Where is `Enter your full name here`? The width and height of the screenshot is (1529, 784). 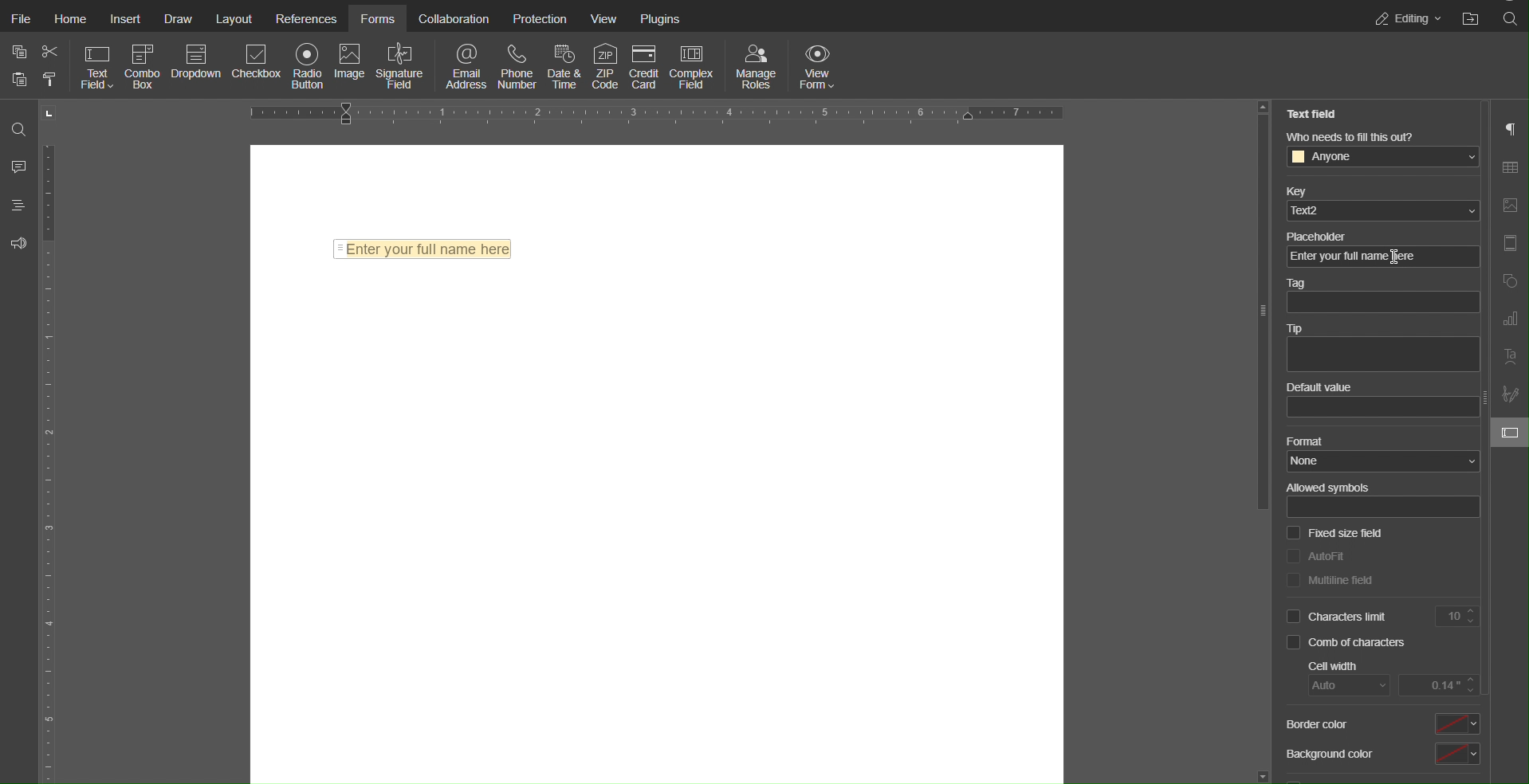
Enter your full name here is located at coordinates (423, 249).